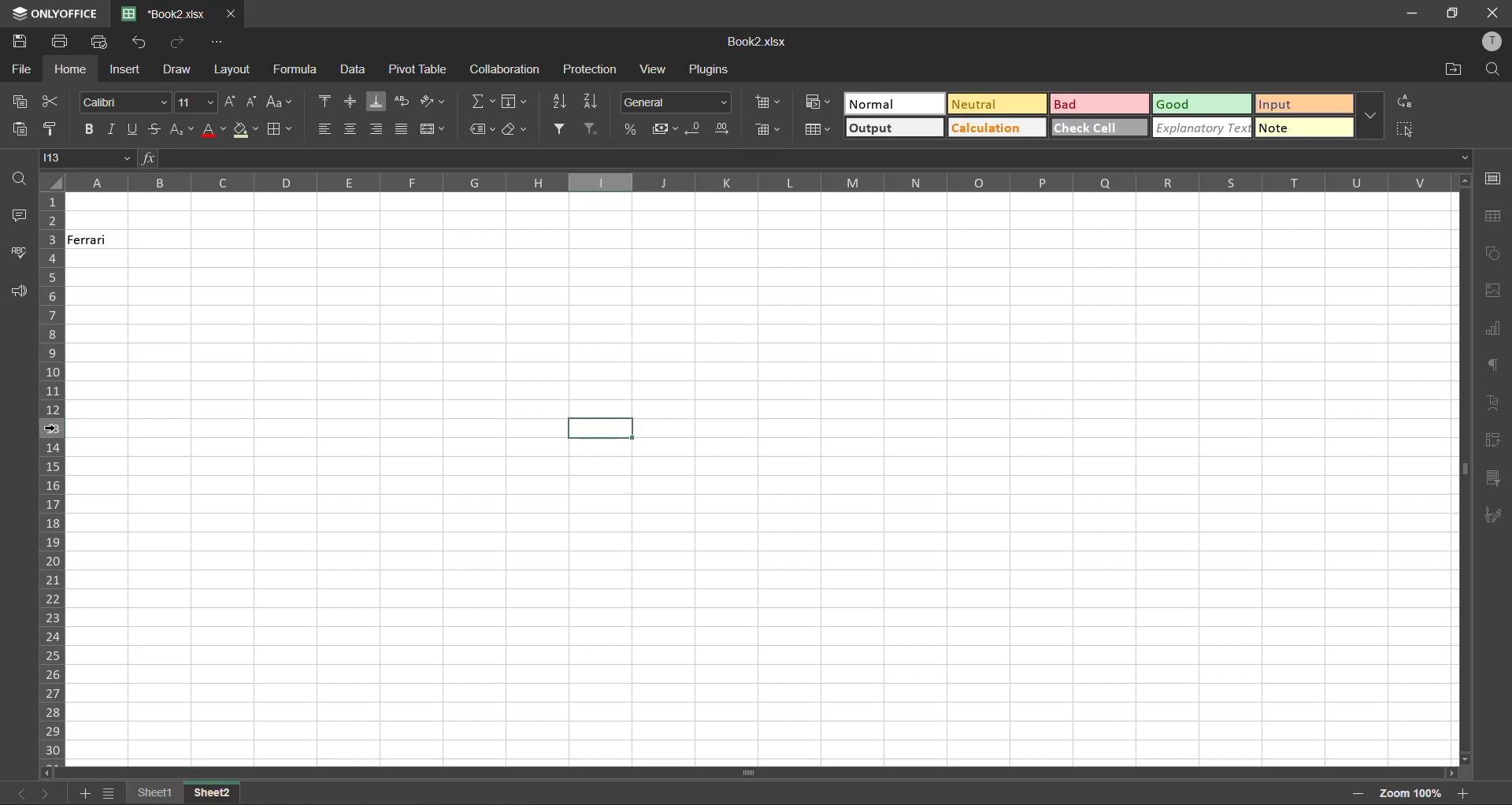  Describe the element at coordinates (182, 128) in the screenshot. I see `sub/superscript` at that location.